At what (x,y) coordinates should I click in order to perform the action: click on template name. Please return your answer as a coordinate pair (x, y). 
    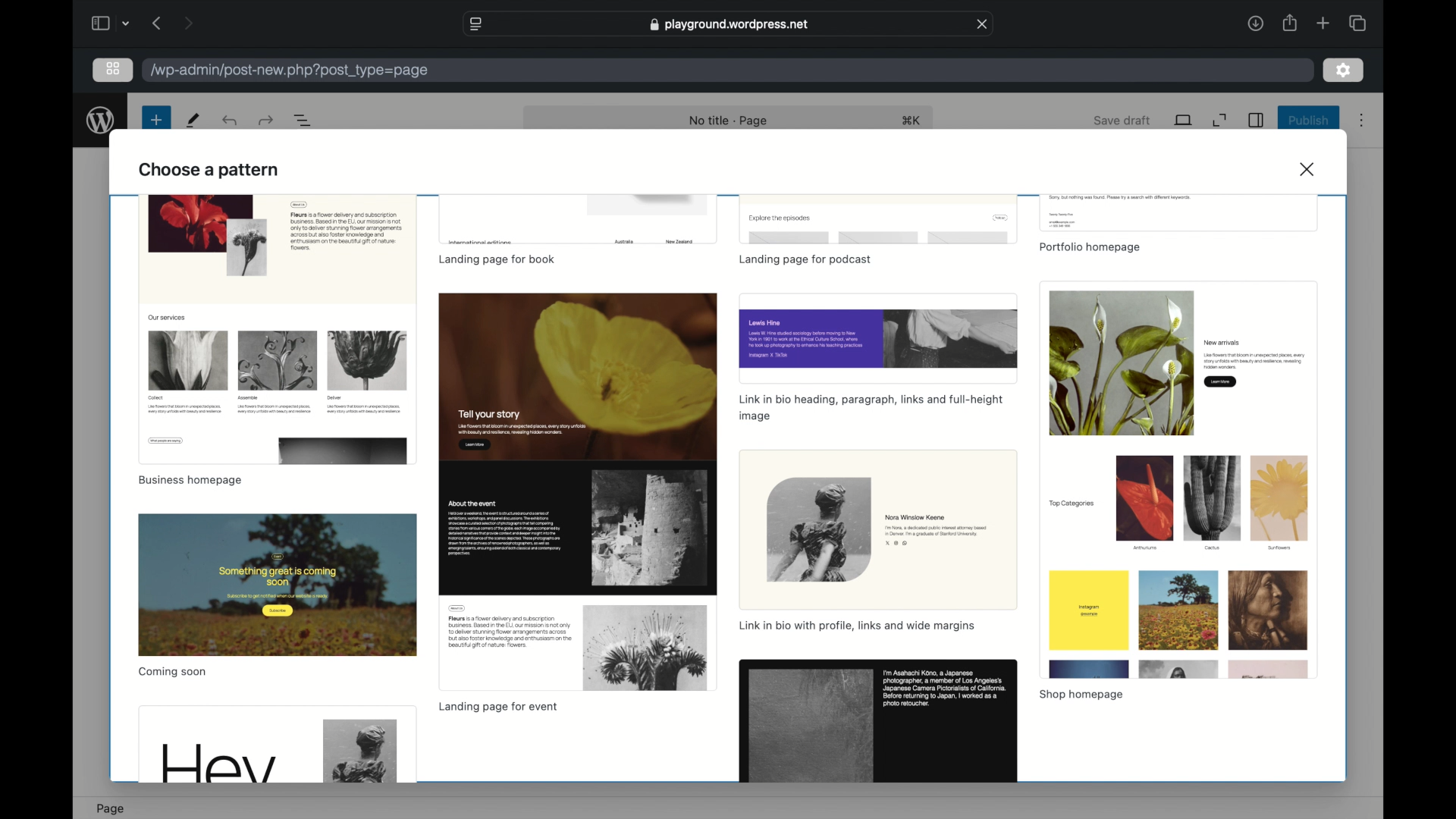
    Looking at the image, I should click on (1092, 248).